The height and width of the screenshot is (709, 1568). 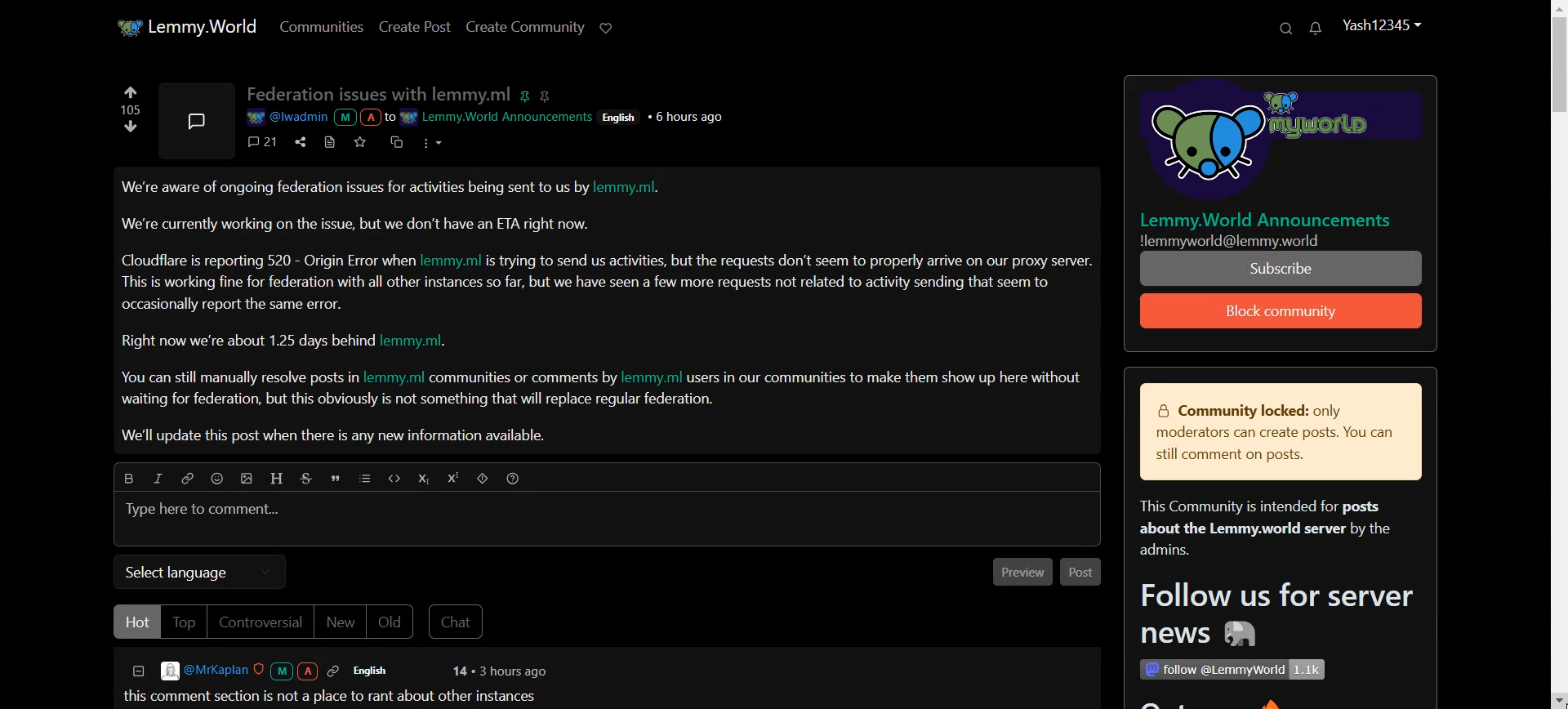 I want to click on Strike through, so click(x=308, y=479).